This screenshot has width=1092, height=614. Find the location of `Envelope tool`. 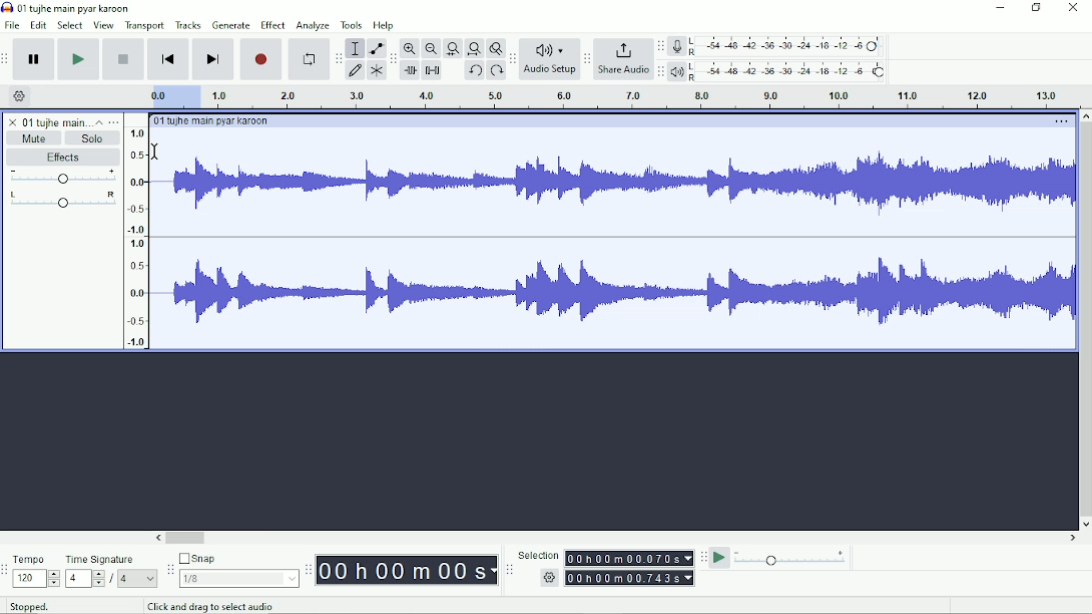

Envelope tool is located at coordinates (375, 49).